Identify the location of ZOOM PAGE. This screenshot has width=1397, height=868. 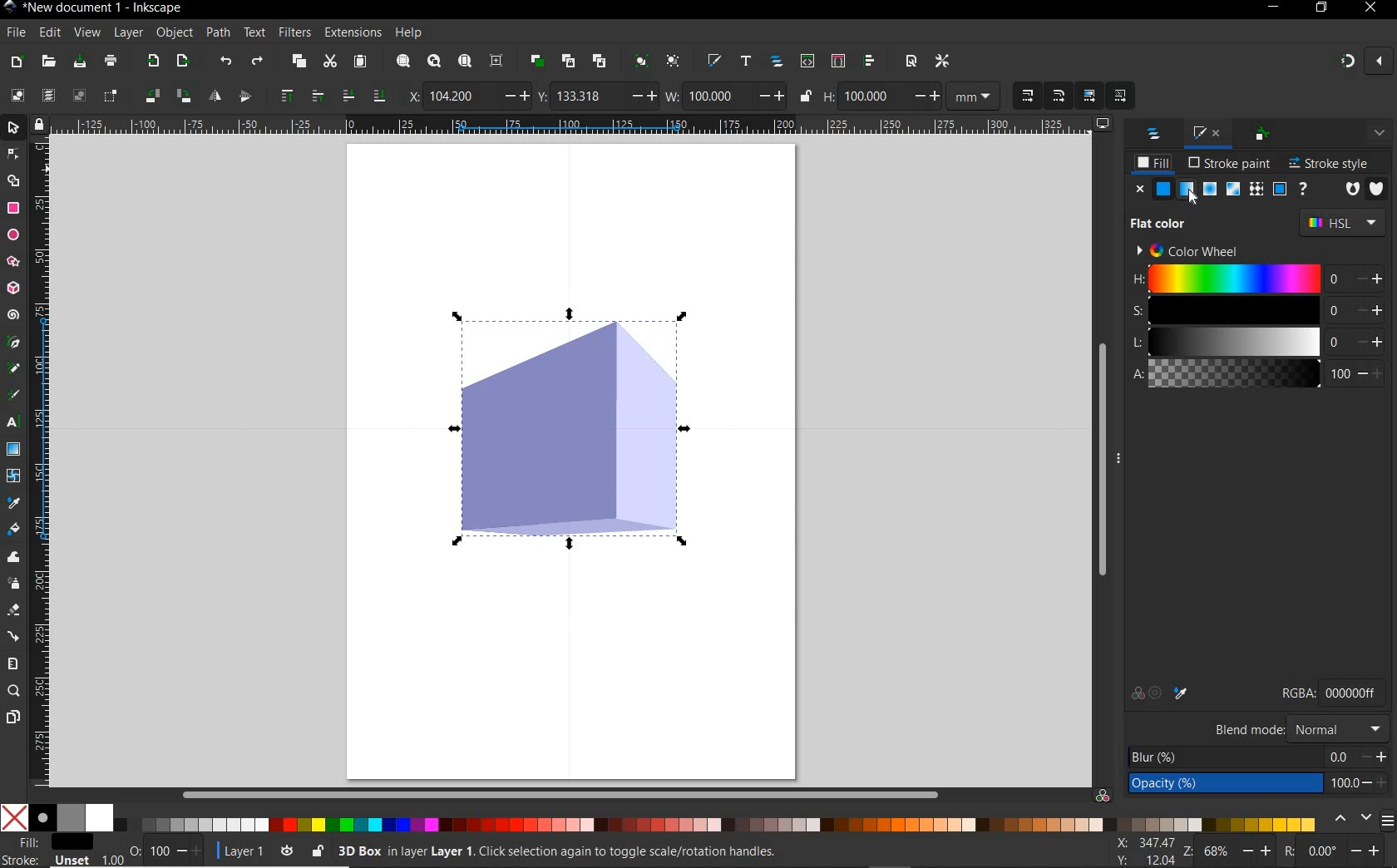
(464, 62).